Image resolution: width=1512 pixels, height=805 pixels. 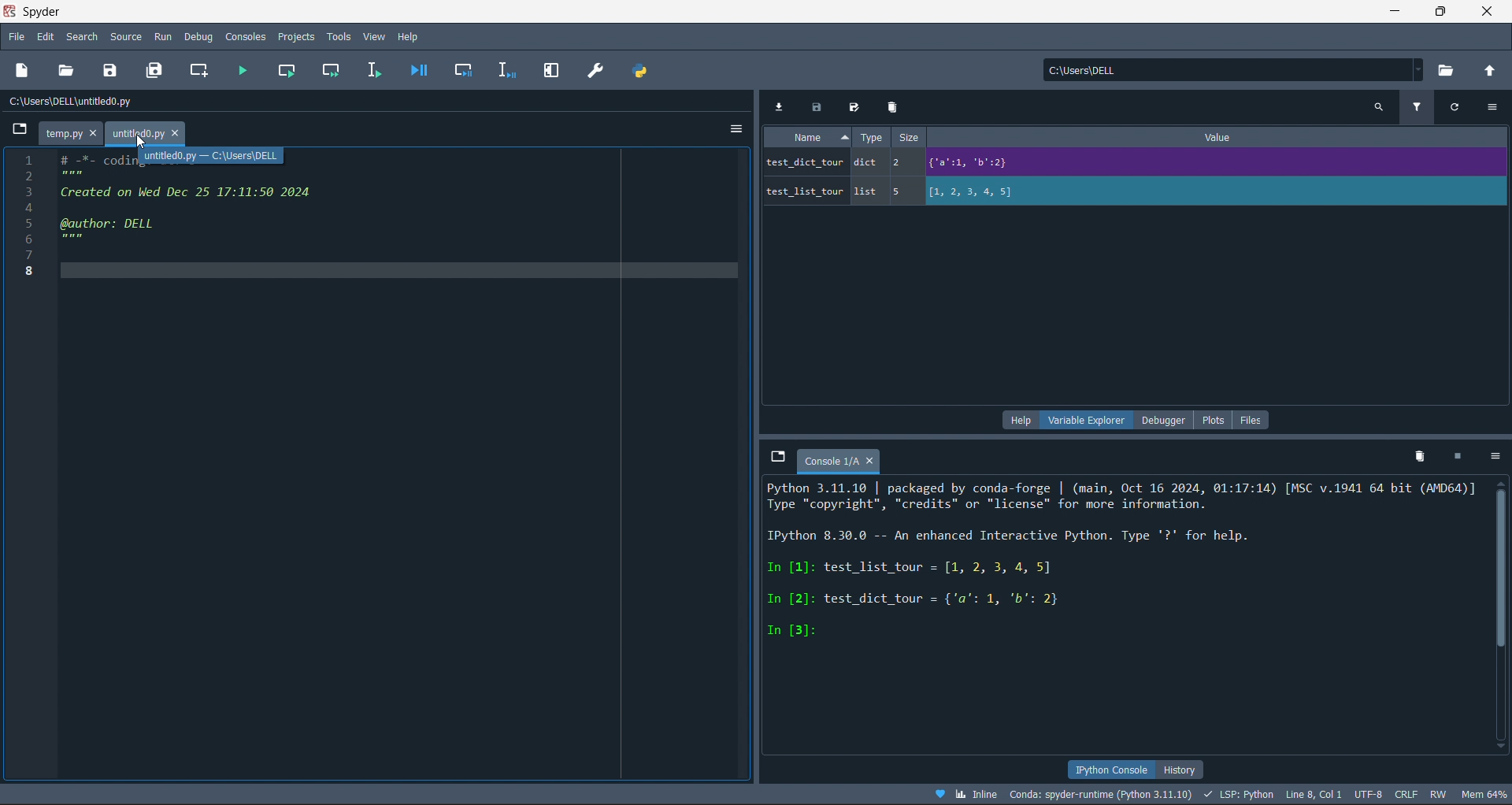 I want to click on search variables, so click(x=1381, y=107).